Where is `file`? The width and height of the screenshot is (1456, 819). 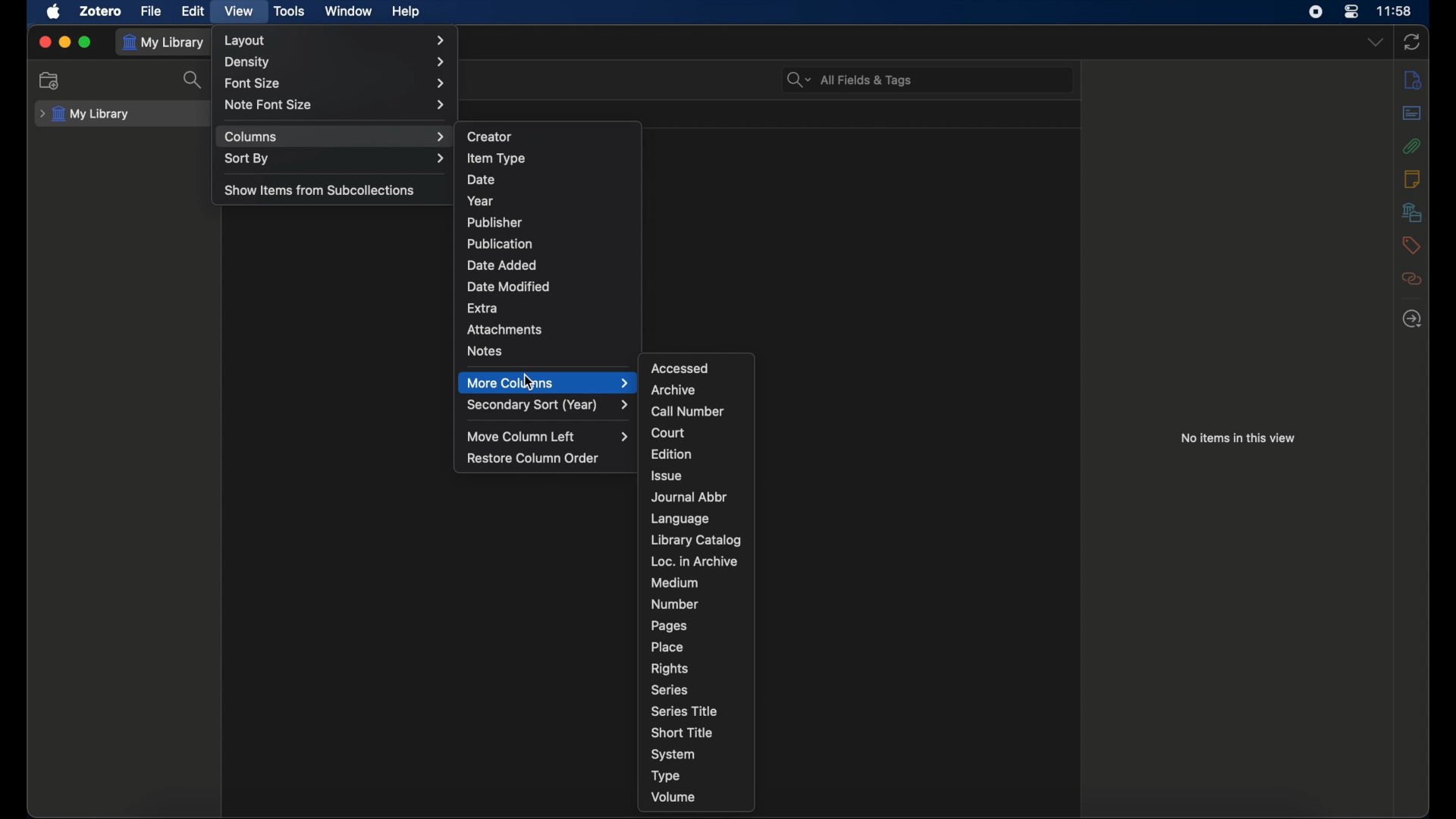
file is located at coordinates (151, 11).